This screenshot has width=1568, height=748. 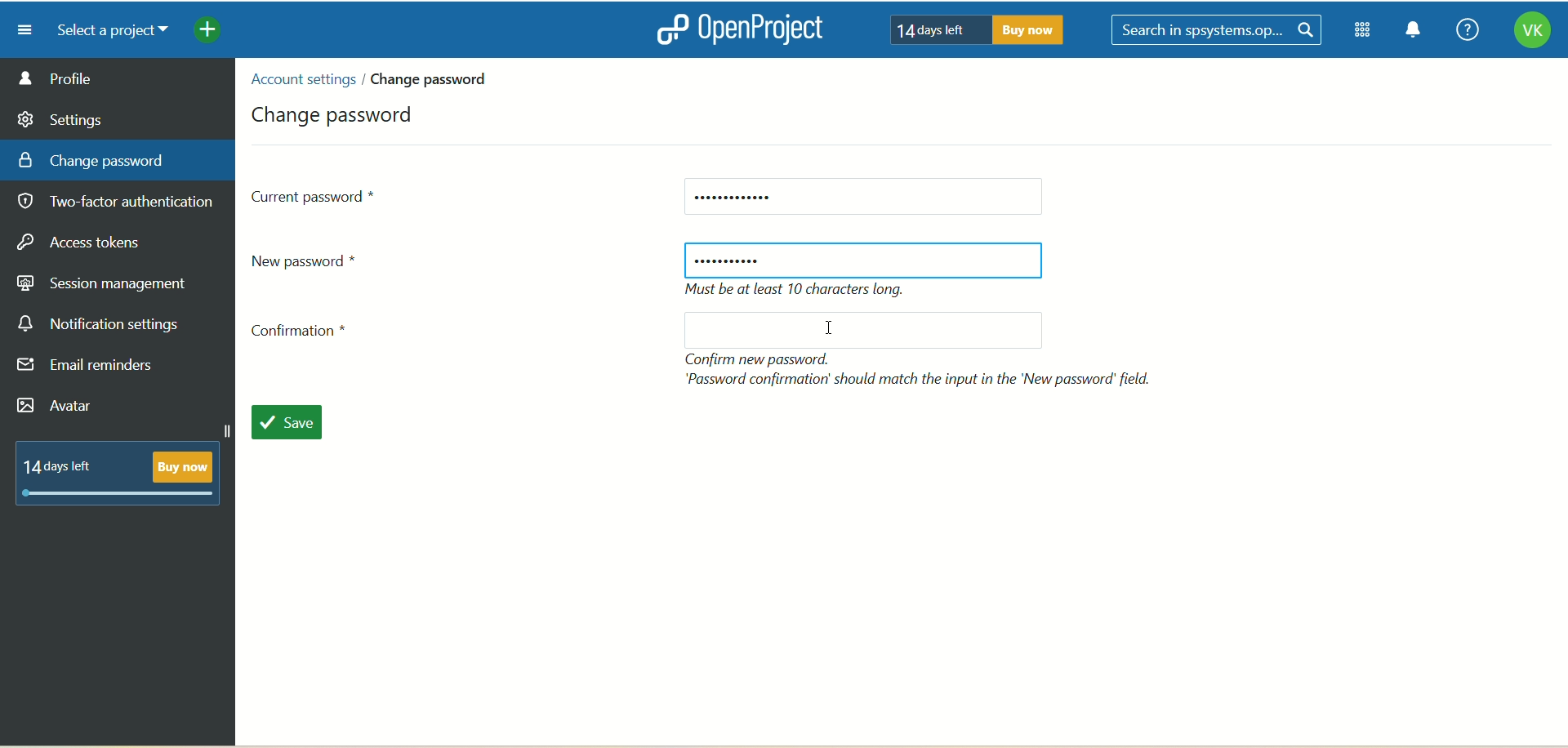 What do you see at coordinates (301, 79) in the screenshot?
I see `account settings` at bounding box center [301, 79].